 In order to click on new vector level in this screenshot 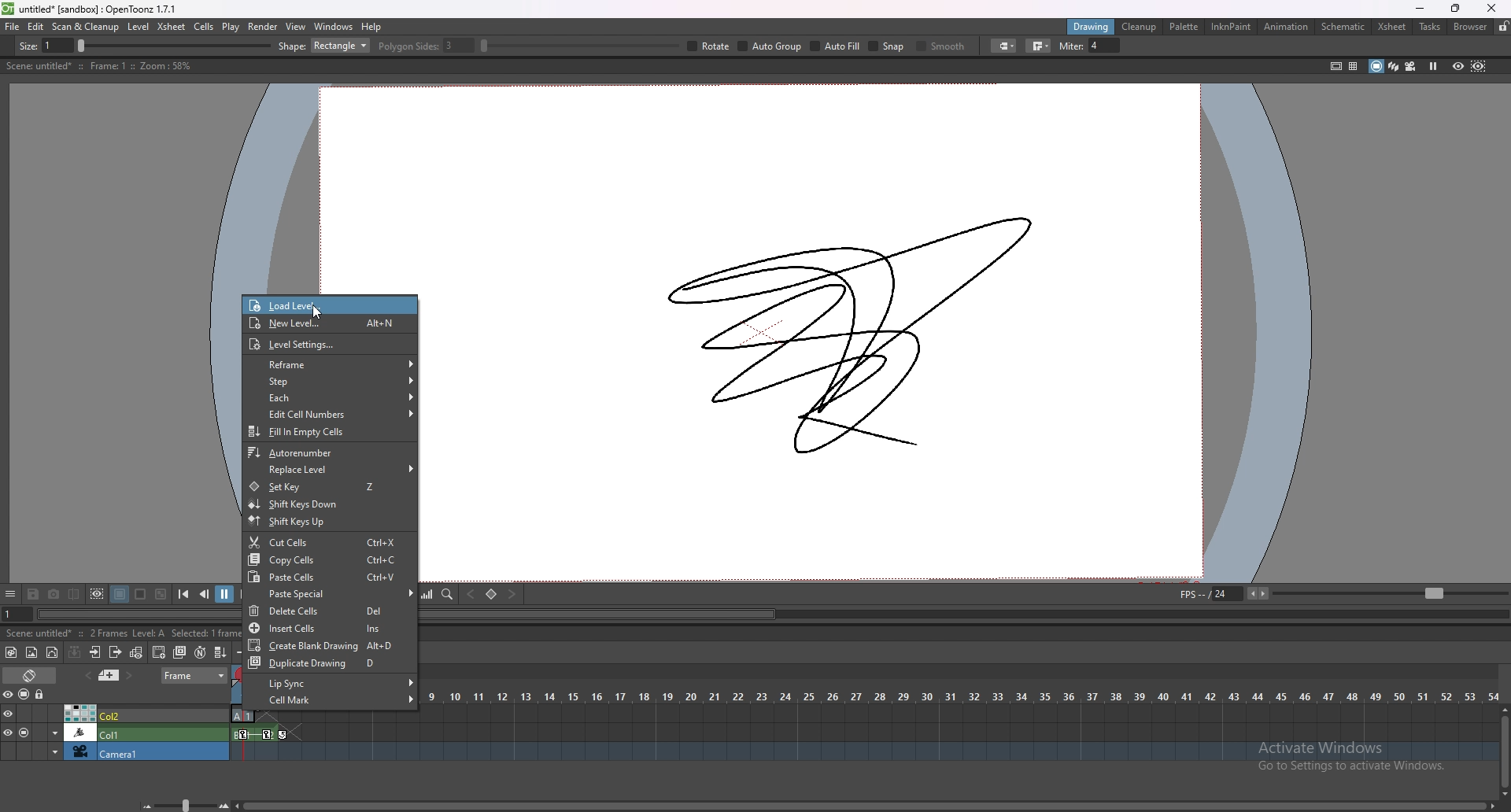, I will do `click(53, 653)`.